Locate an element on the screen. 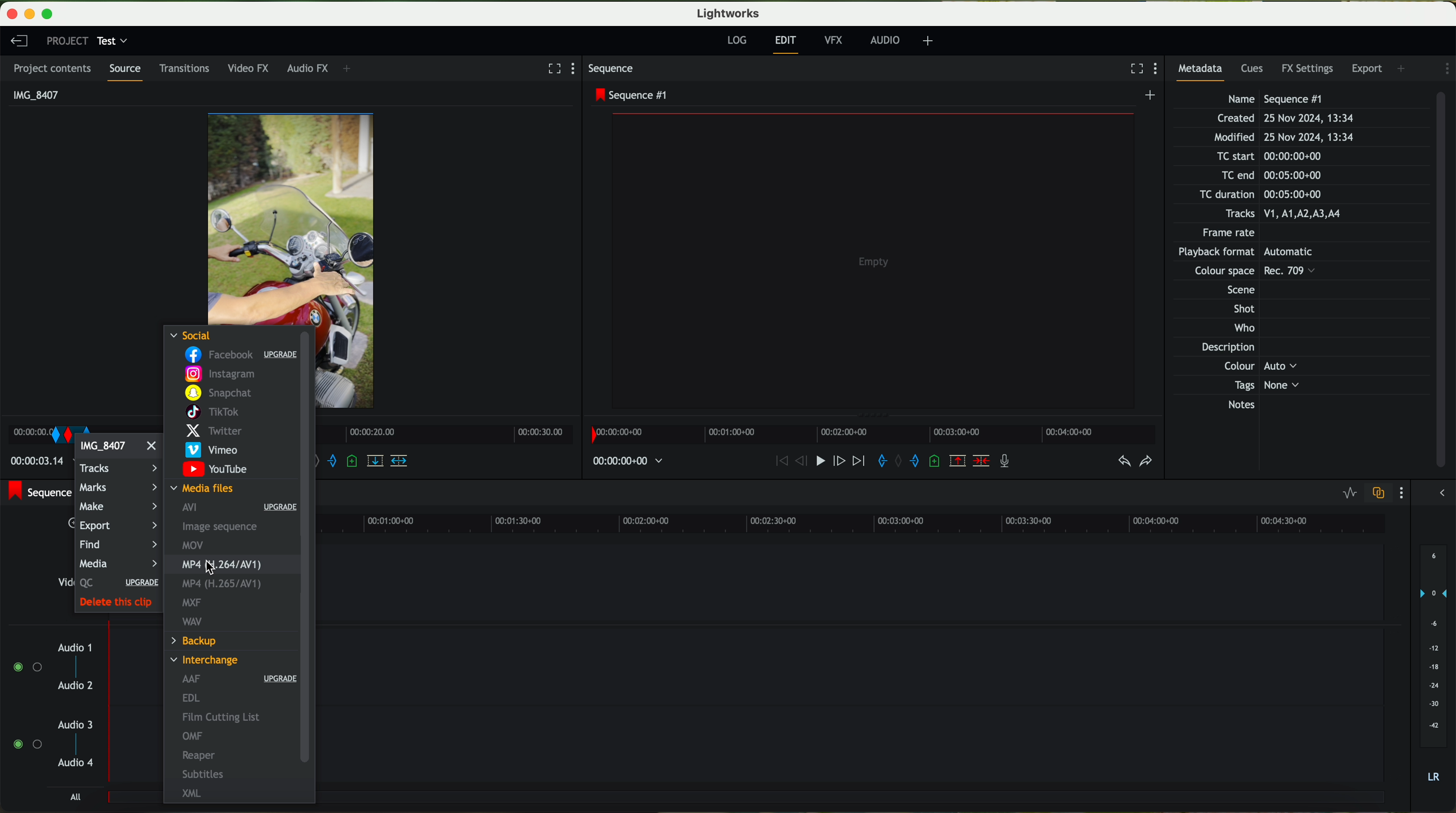 This screenshot has height=813, width=1456. nudge one frame foward is located at coordinates (836, 461).